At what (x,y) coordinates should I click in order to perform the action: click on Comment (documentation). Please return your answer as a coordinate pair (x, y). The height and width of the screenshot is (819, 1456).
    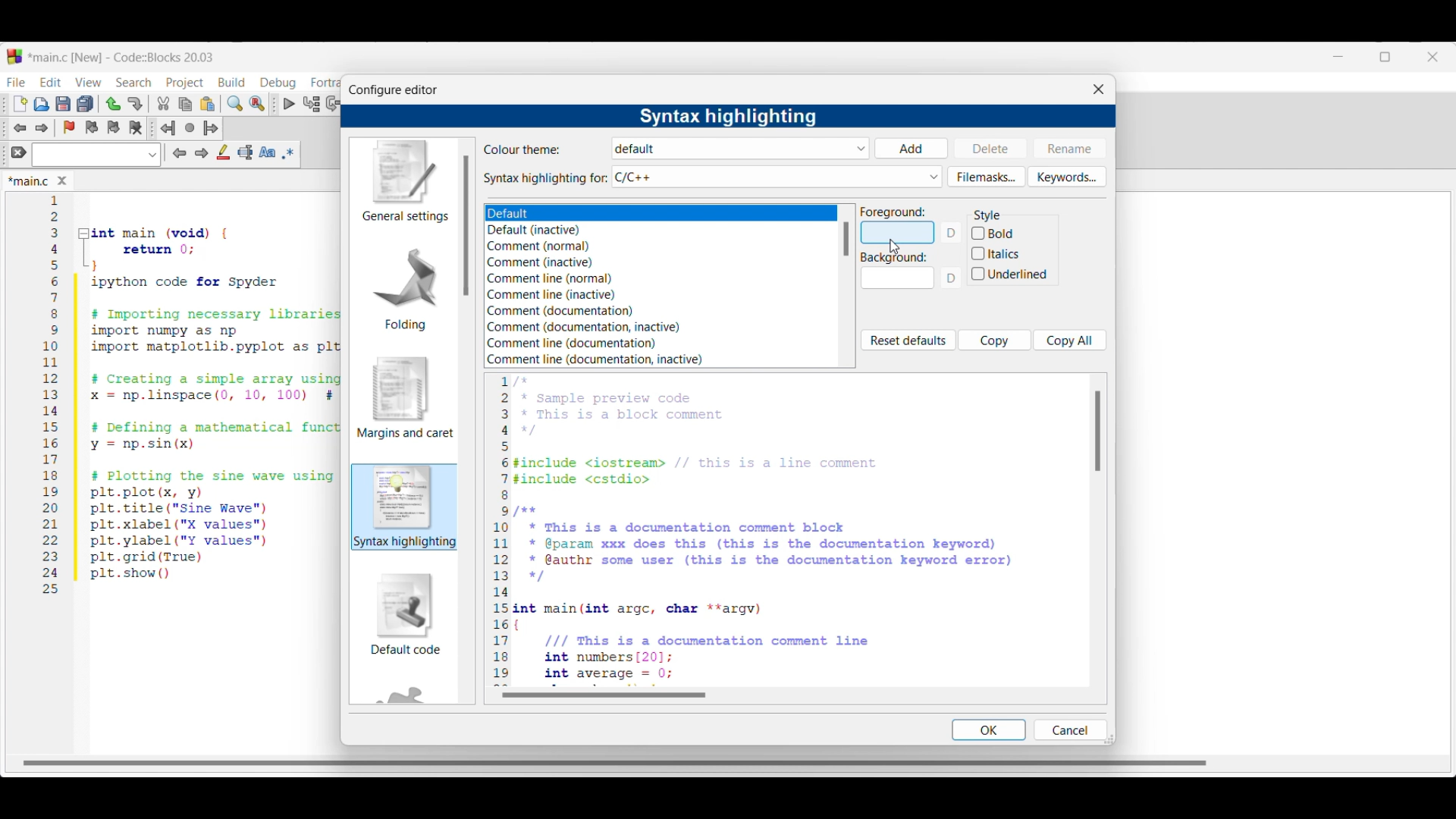
    Looking at the image, I should click on (560, 311).